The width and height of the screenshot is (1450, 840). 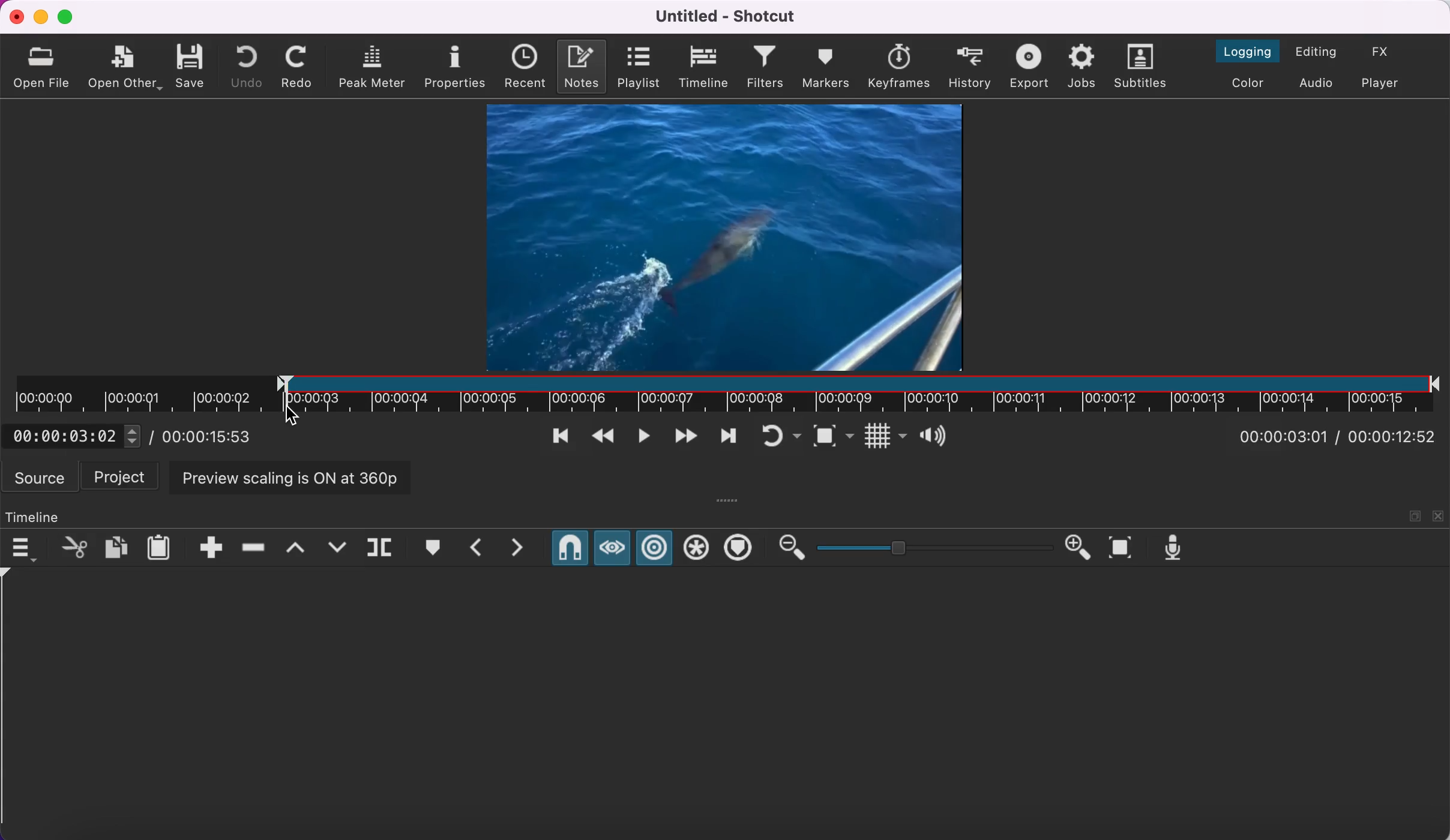 I want to click on total duration, so click(x=216, y=438).